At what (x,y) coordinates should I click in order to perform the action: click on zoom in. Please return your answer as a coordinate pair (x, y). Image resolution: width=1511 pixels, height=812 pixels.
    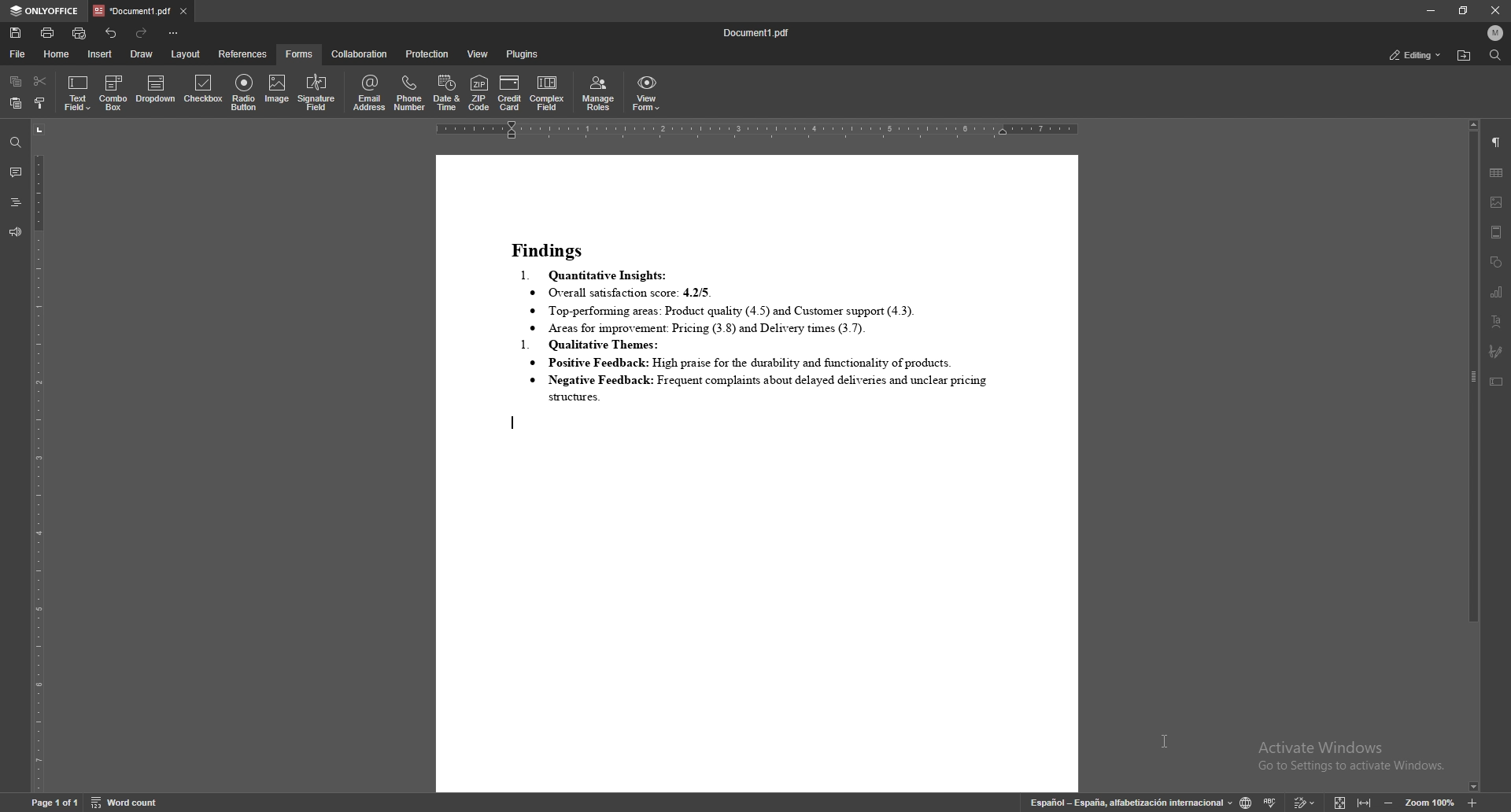
    Looking at the image, I should click on (1472, 803).